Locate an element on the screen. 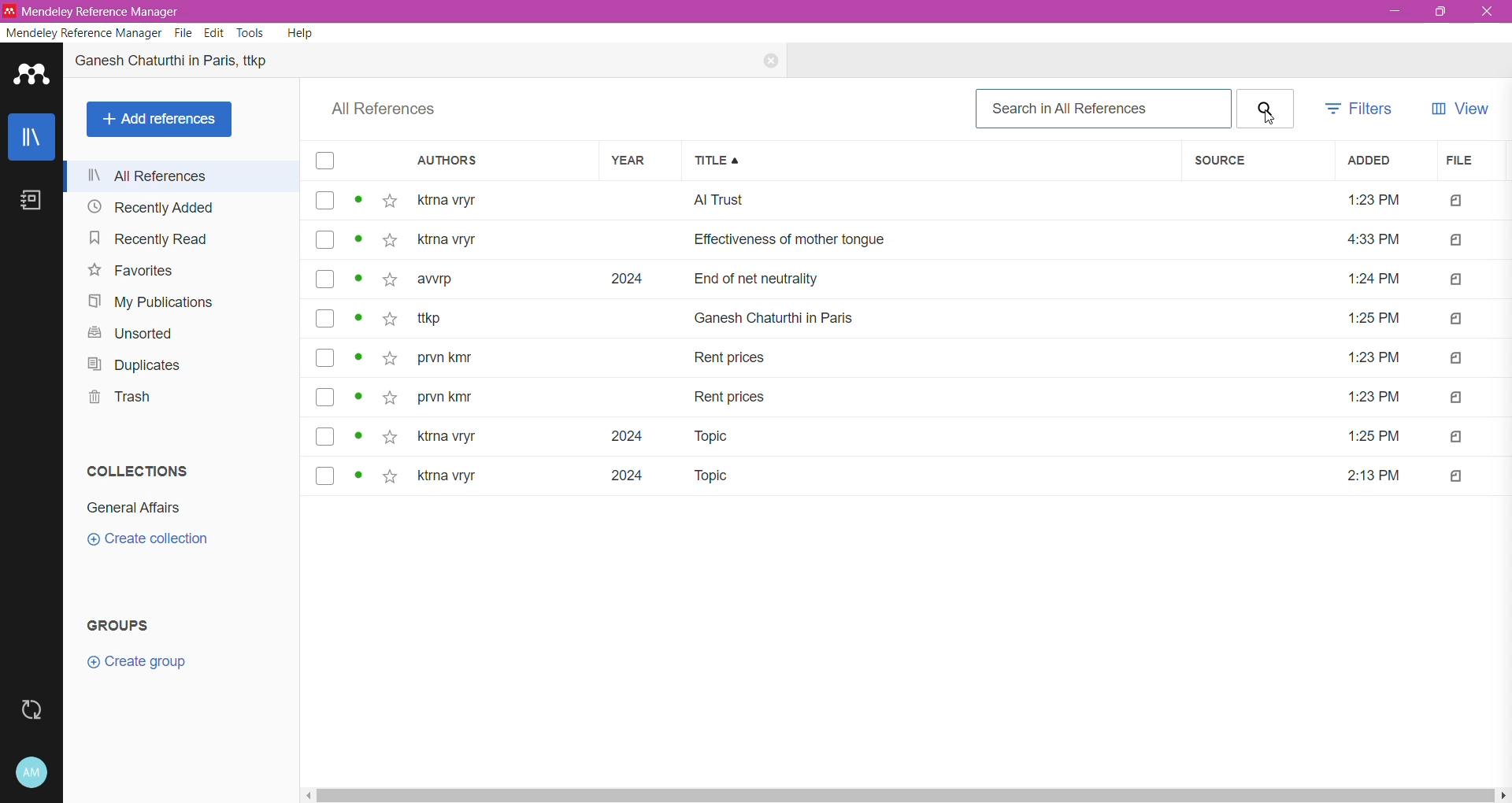 The width and height of the screenshot is (1512, 803). Click to Create Collection is located at coordinates (148, 540).